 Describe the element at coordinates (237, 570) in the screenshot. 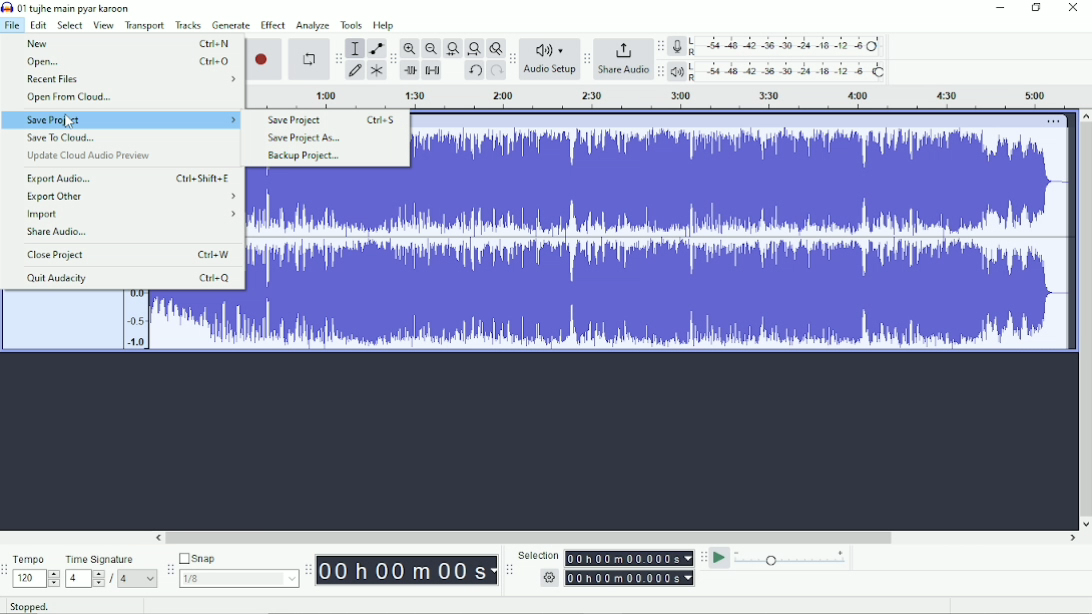

I see `Snap` at that location.